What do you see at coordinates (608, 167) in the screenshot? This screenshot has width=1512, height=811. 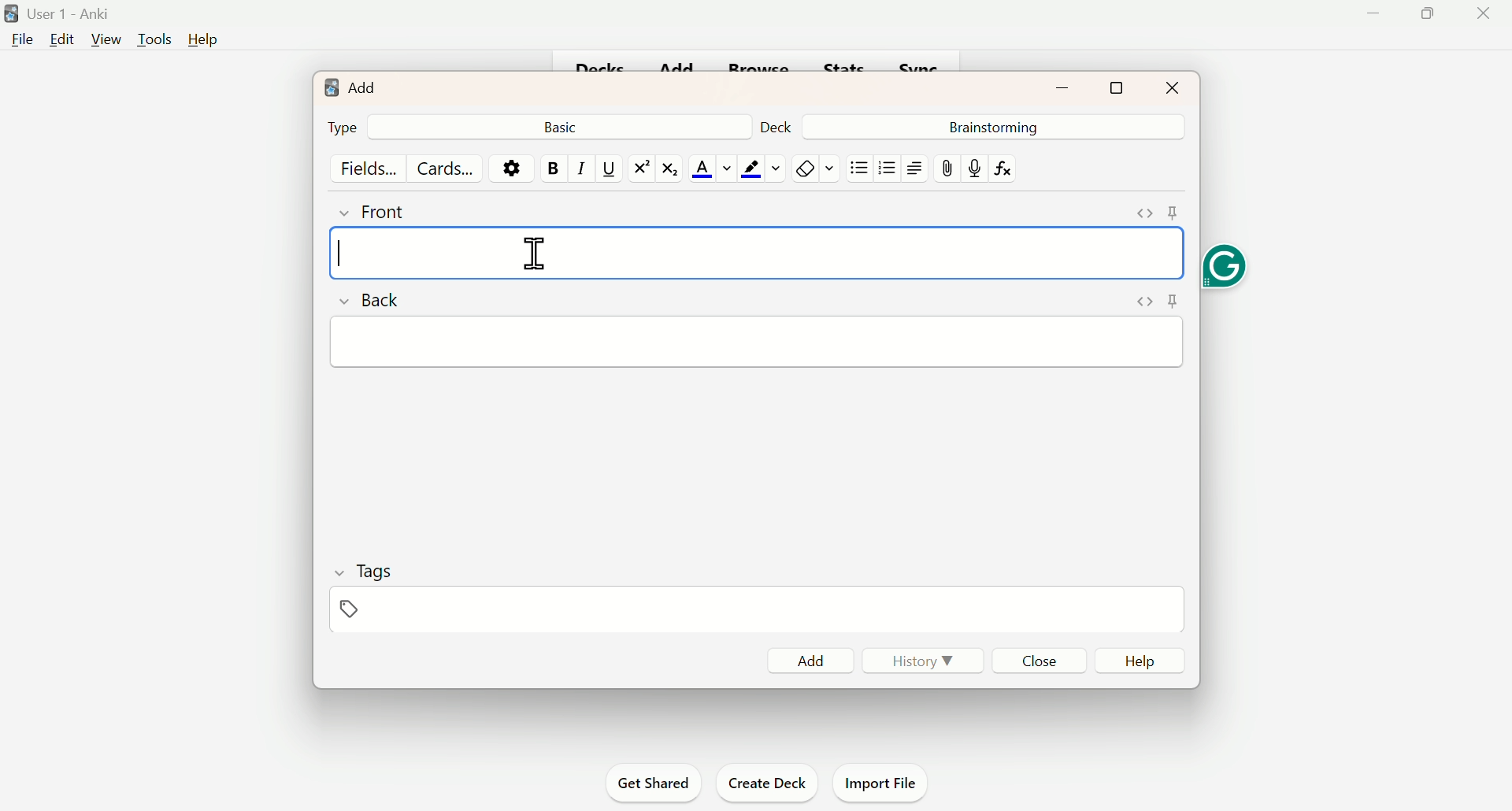 I see `Underline` at bounding box center [608, 167].